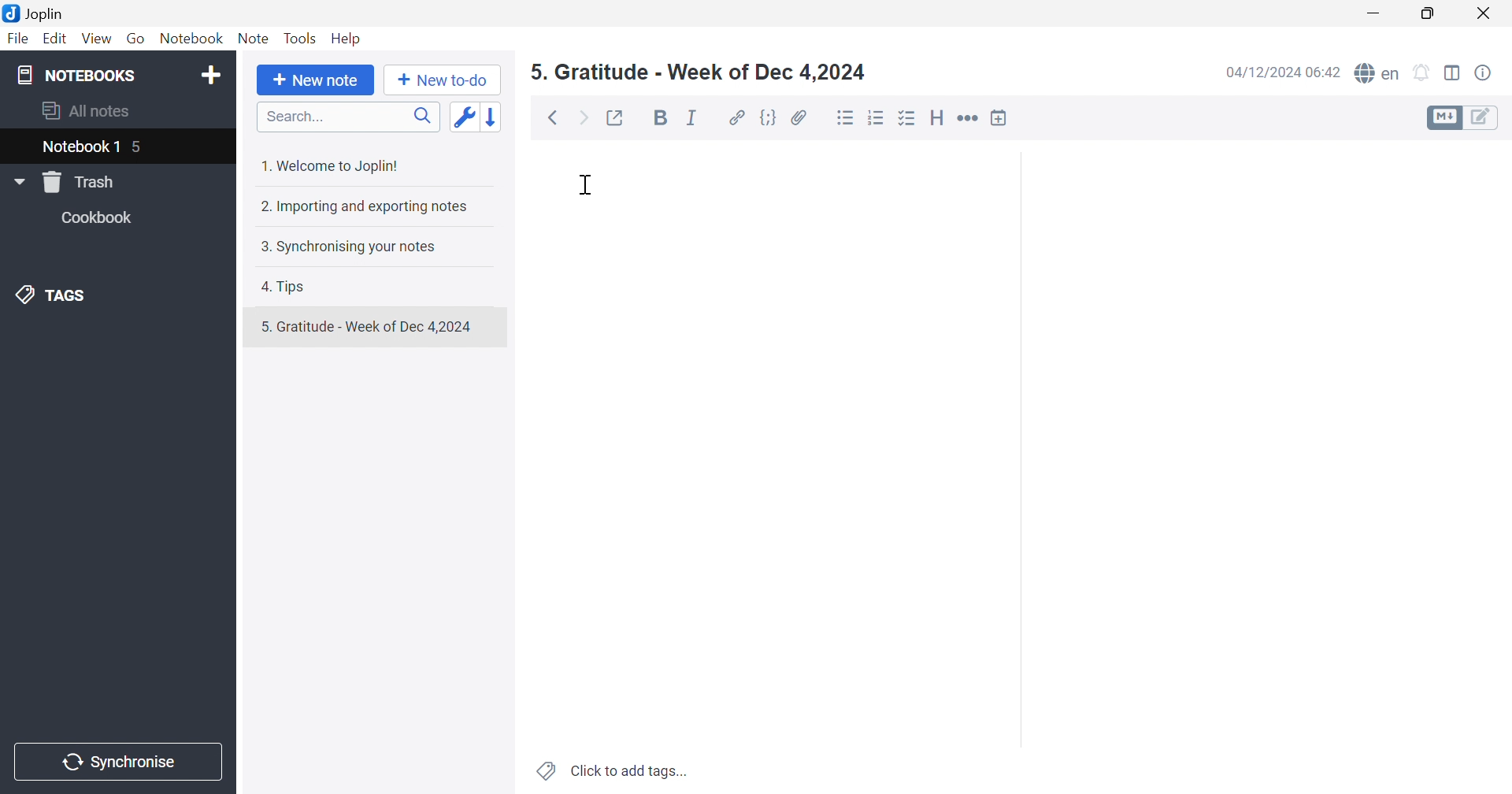  Describe the element at coordinates (332, 164) in the screenshot. I see `1. Welcome to Joplin!` at that location.